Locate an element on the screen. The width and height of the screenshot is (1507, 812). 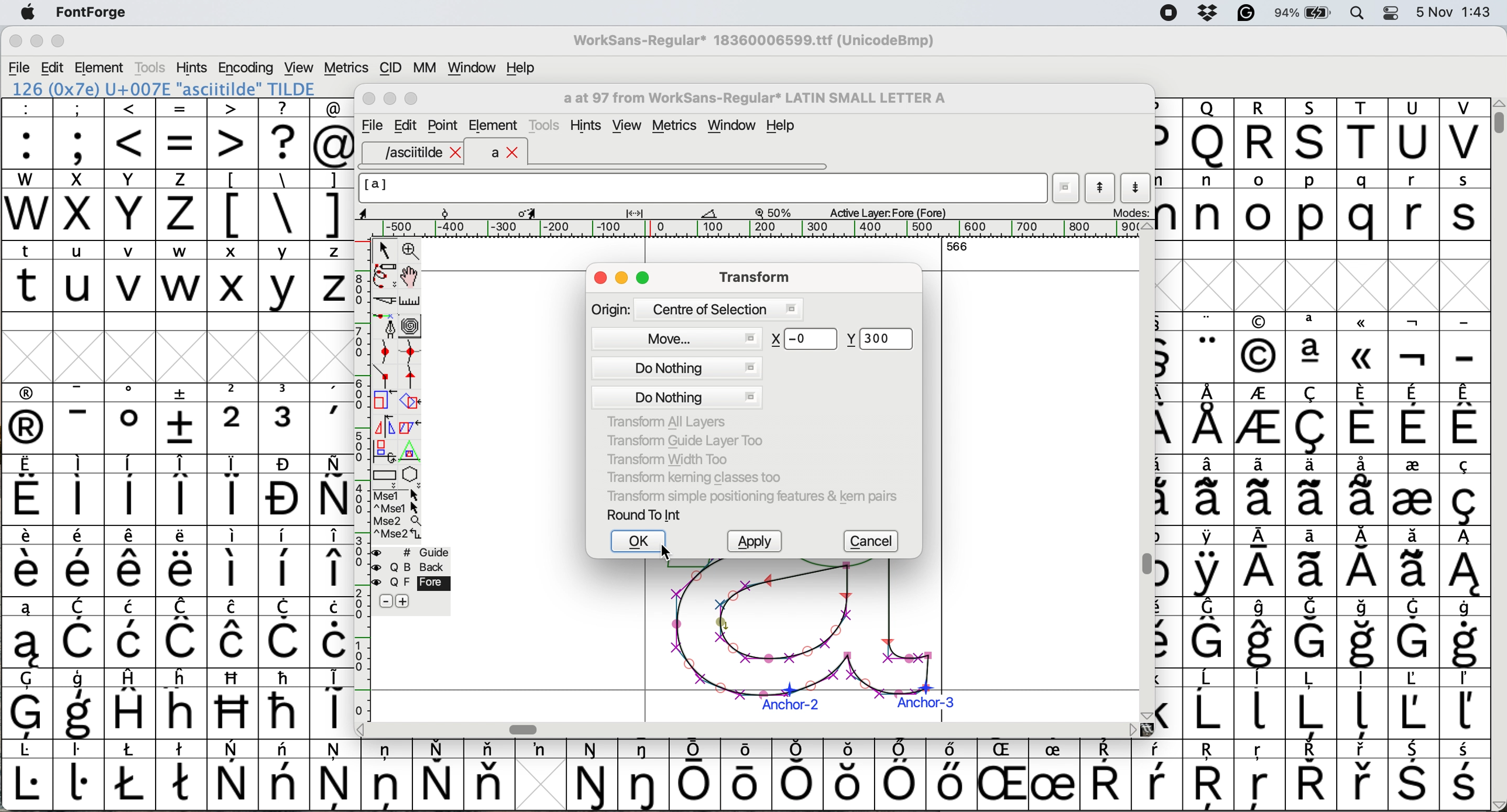
WorkSans-Regular 18360006599.ttf (UnicodeBmp) is located at coordinates (754, 43).